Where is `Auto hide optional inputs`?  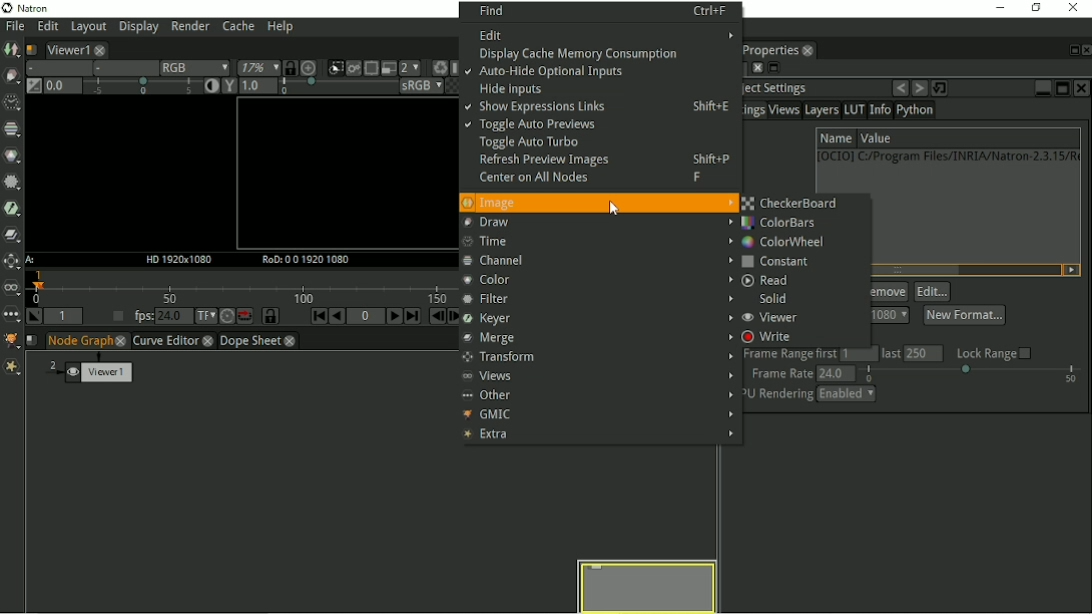 Auto hide optional inputs is located at coordinates (547, 73).